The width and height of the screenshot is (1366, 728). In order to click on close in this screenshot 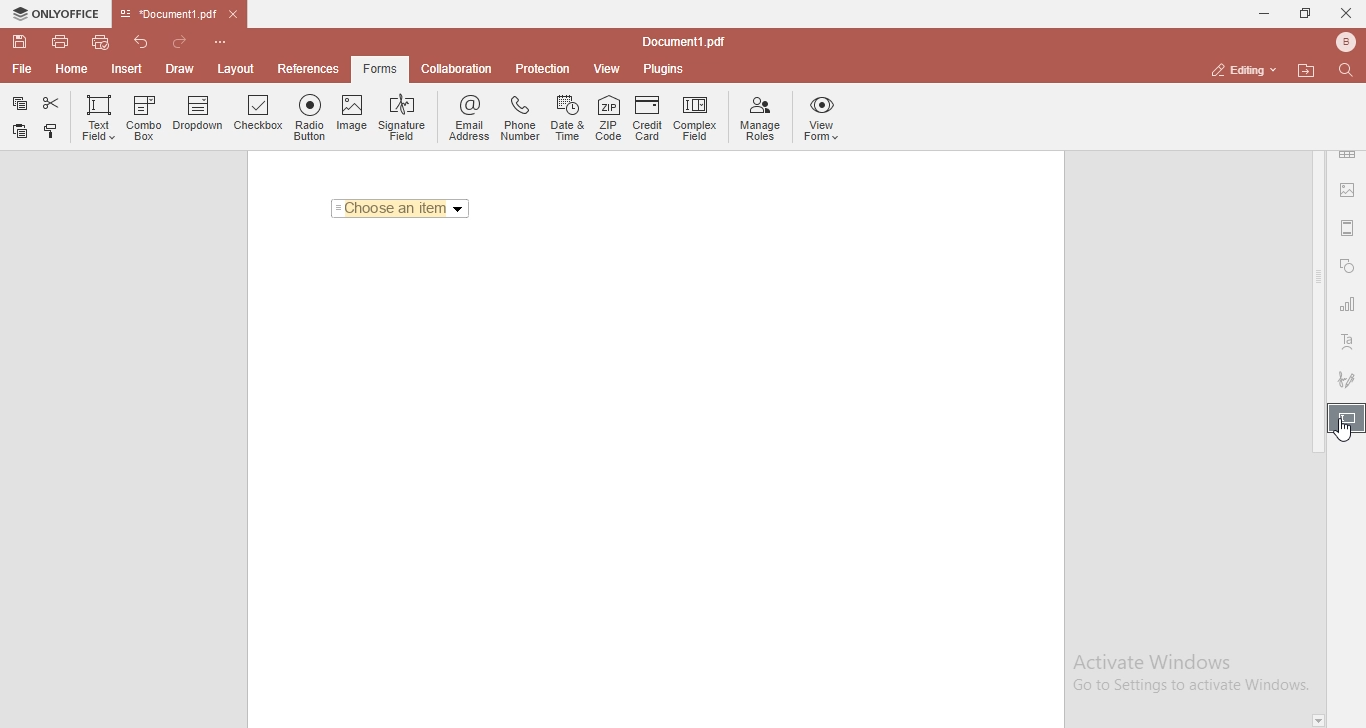, I will do `click(1346, 12)`.